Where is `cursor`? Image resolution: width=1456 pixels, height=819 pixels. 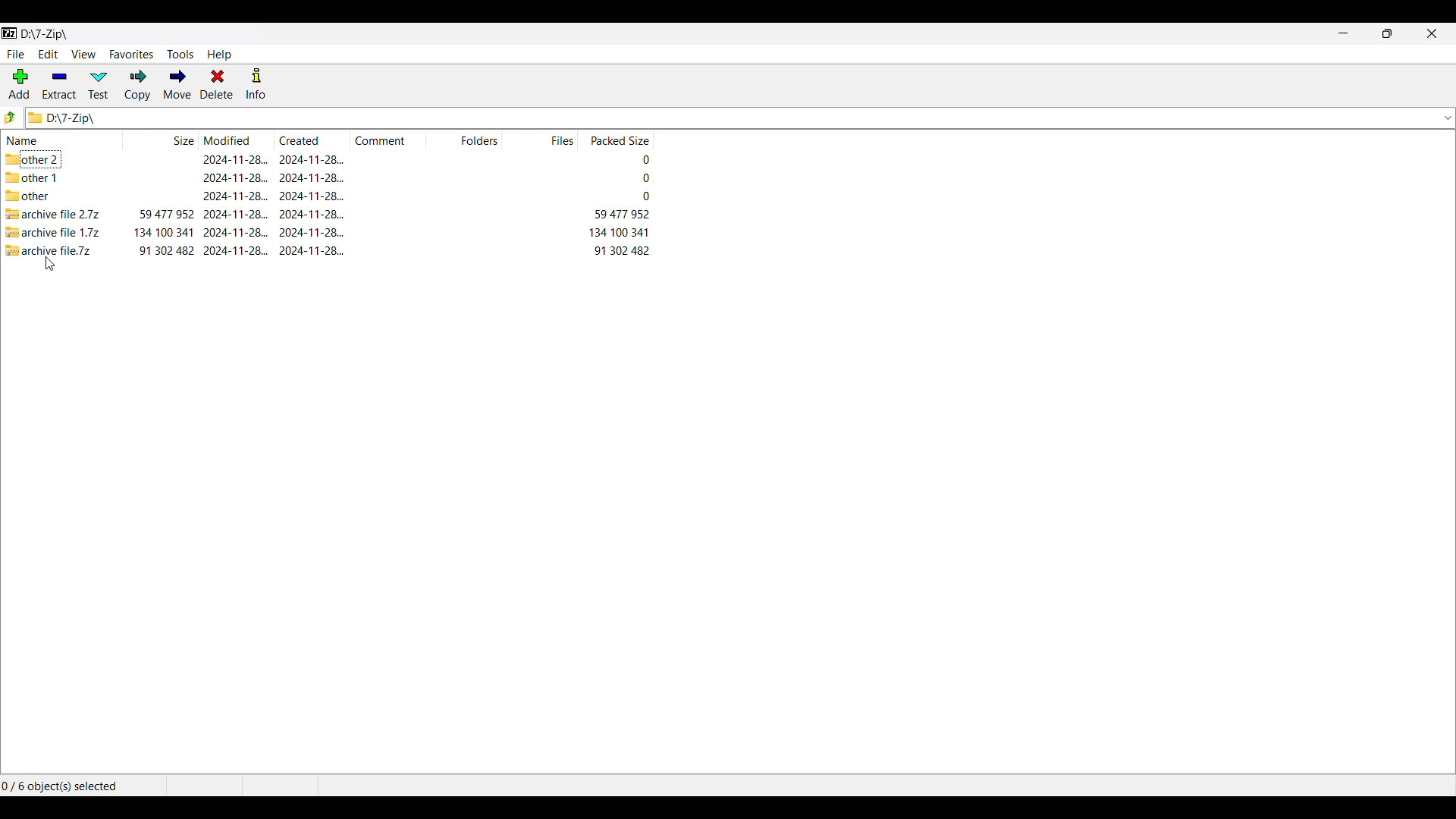
cursor is located at coordinates (50, 263).